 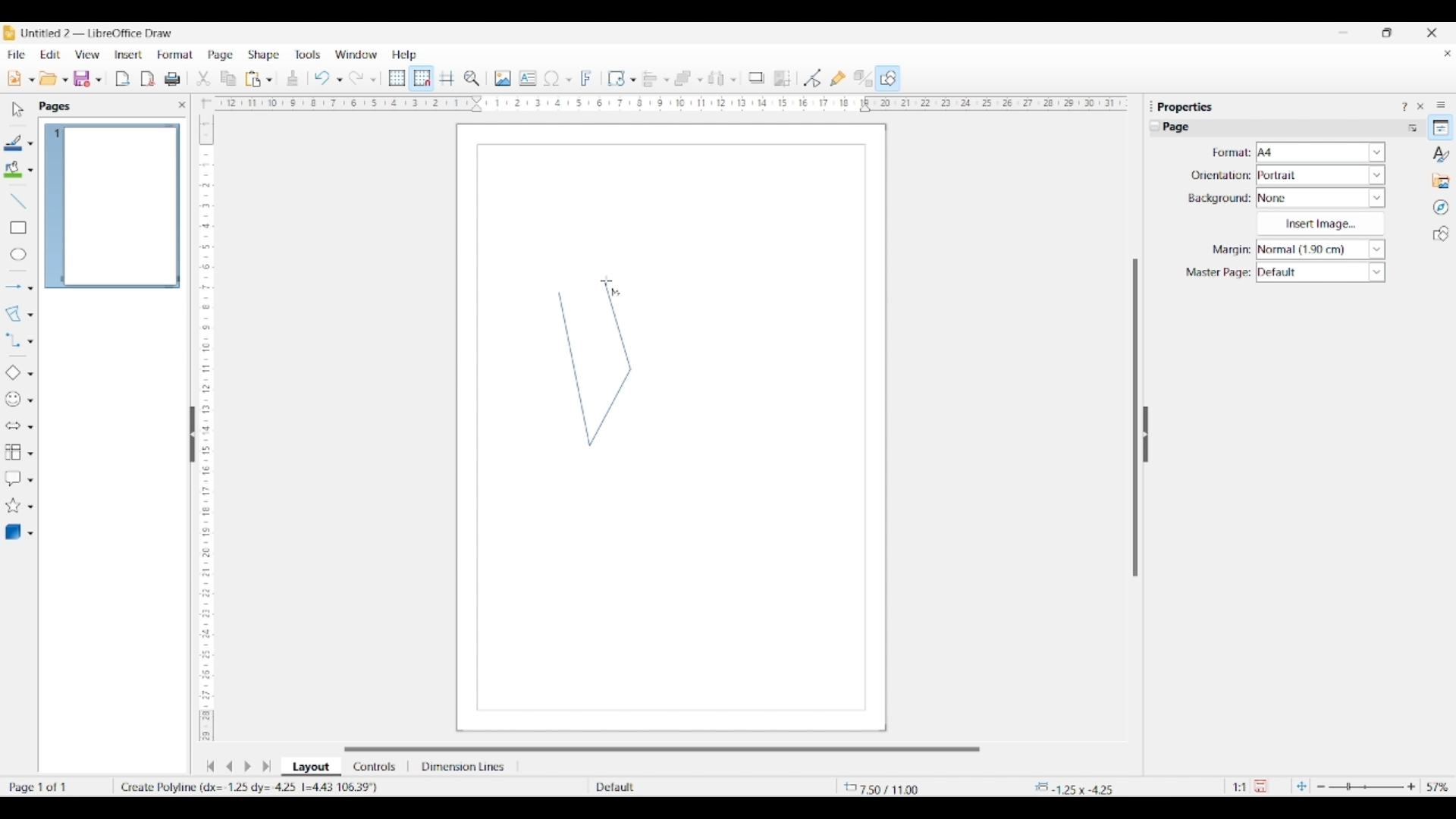 I want to click on Close left sidebar, so click(x=182, y=105).